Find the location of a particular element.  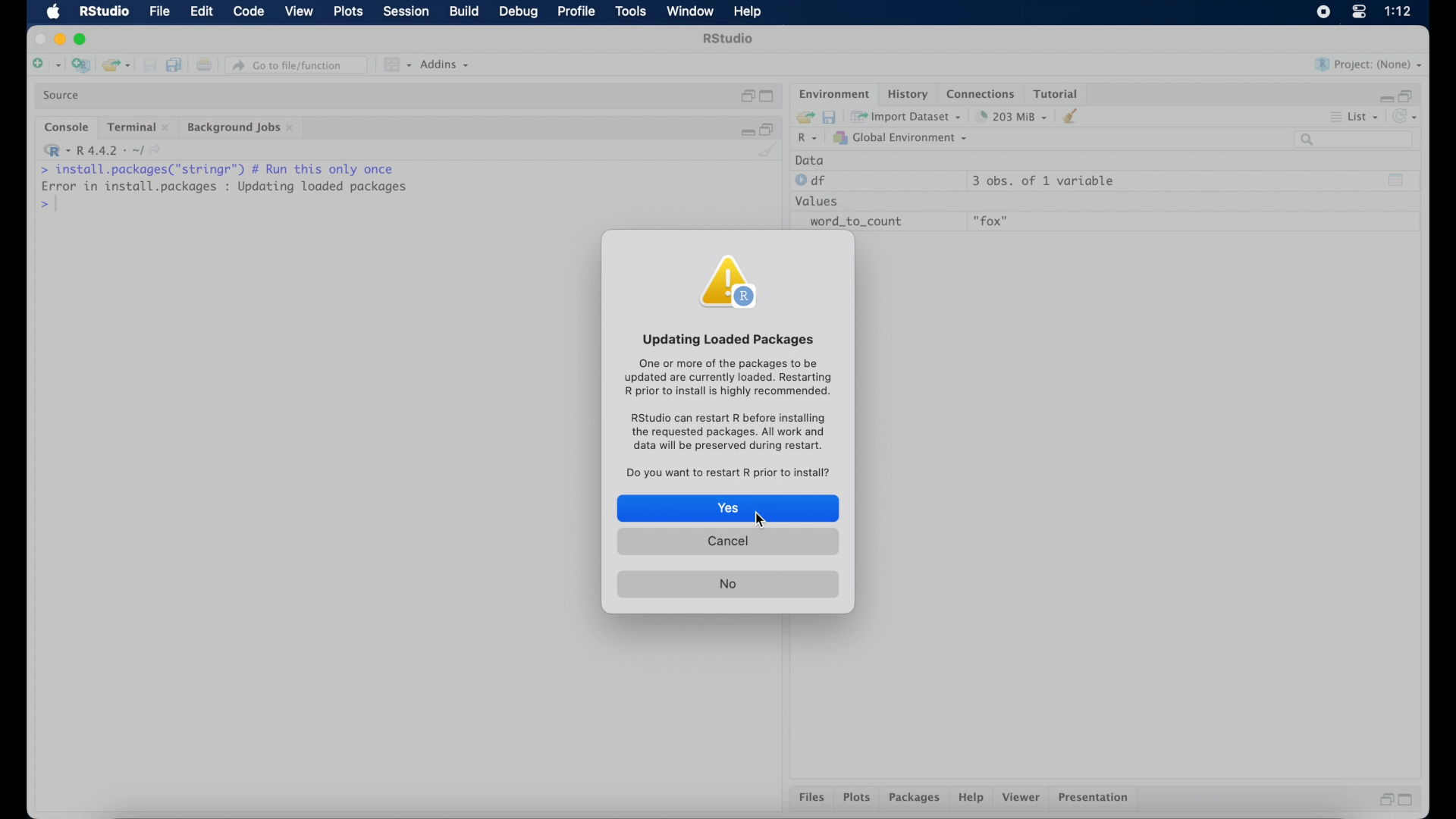

yes is located at coordinates (727, 508).